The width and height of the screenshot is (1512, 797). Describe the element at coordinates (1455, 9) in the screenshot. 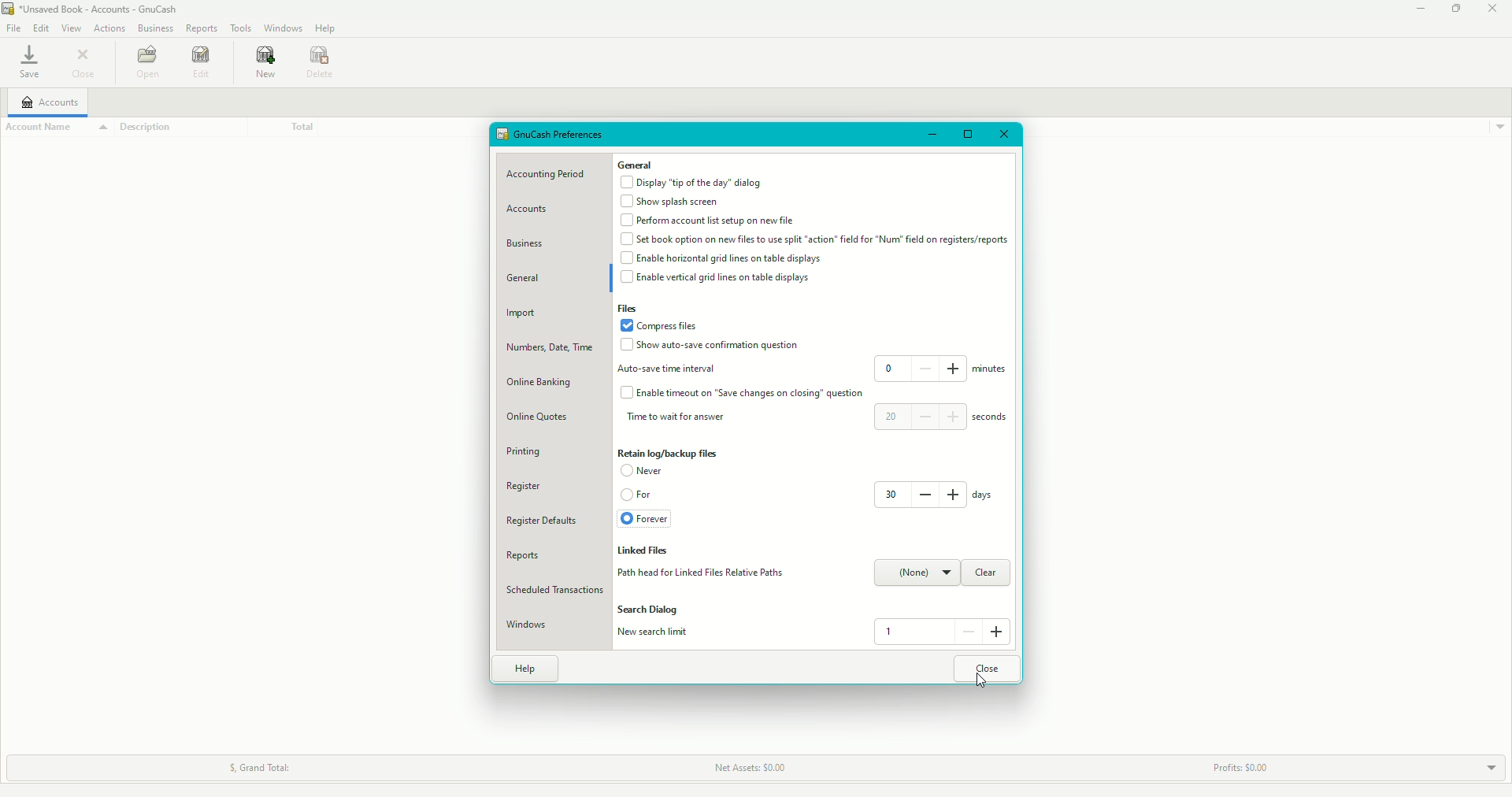

I see `Restore` at that location.